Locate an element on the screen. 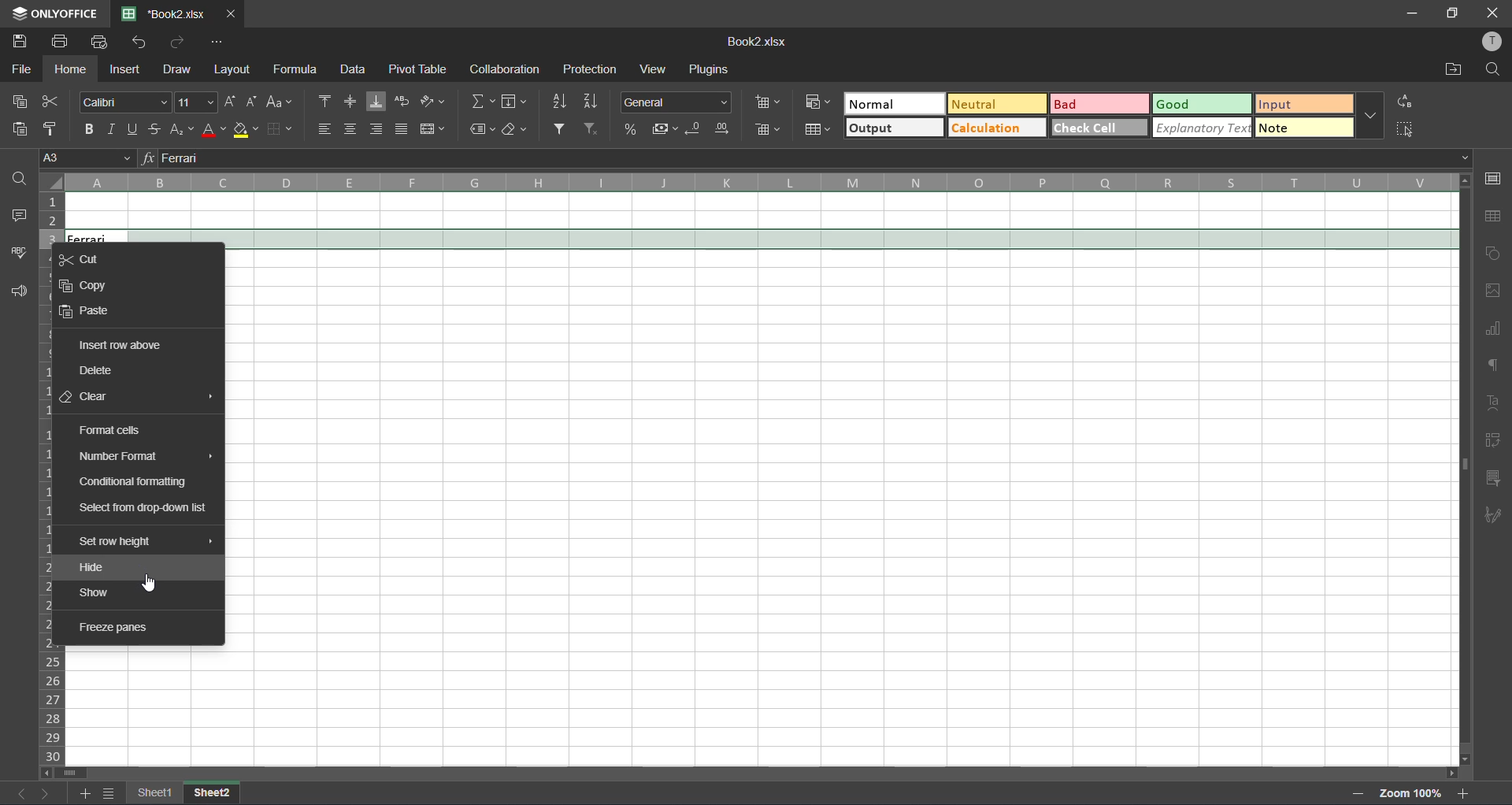  copy style is located at coordinates (50, 127).